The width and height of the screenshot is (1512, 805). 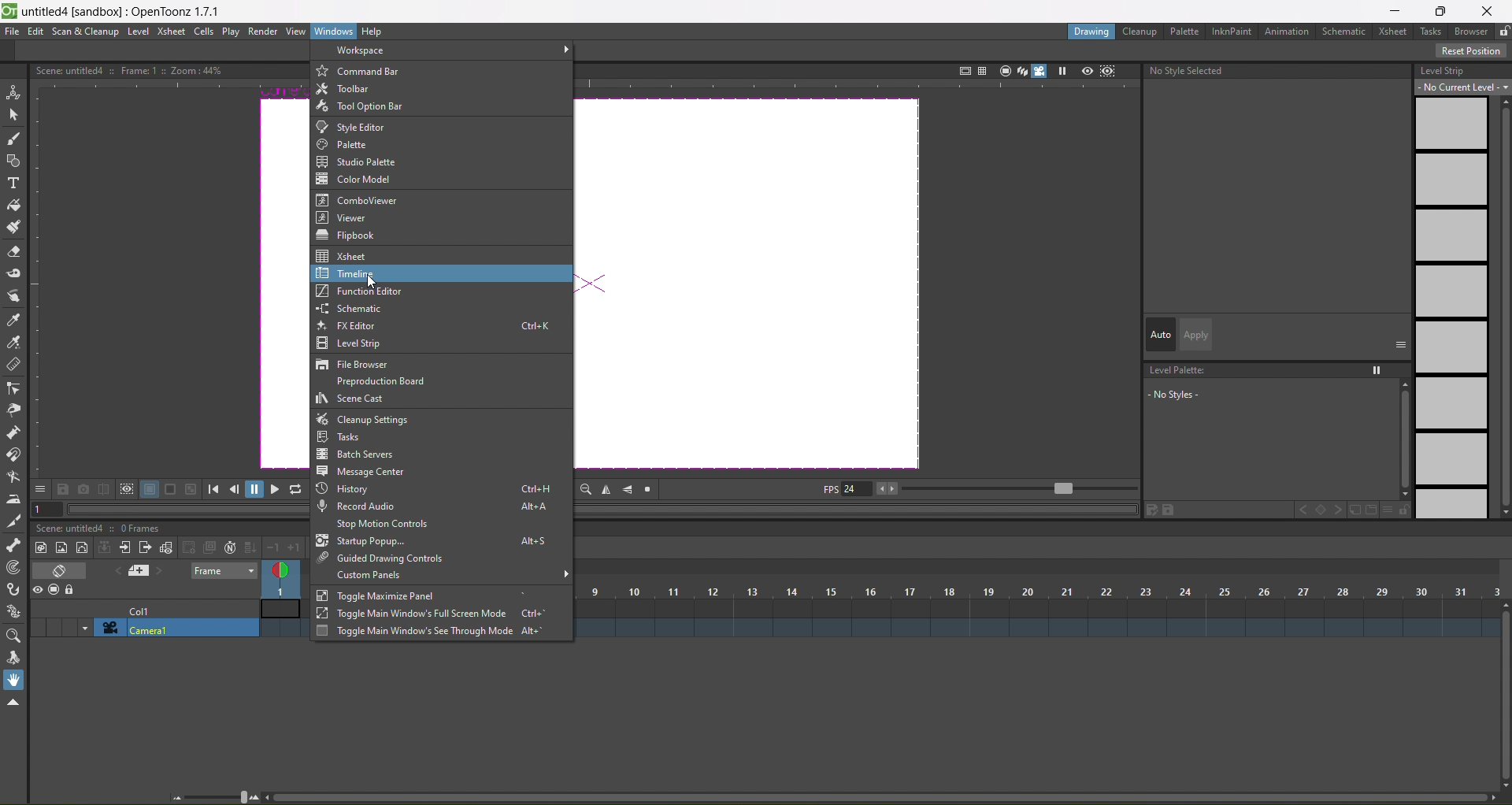 What do you see at coordinates (13, 454) in the screenshot?
I see `magnet tool` at bounding box center [13, 454].